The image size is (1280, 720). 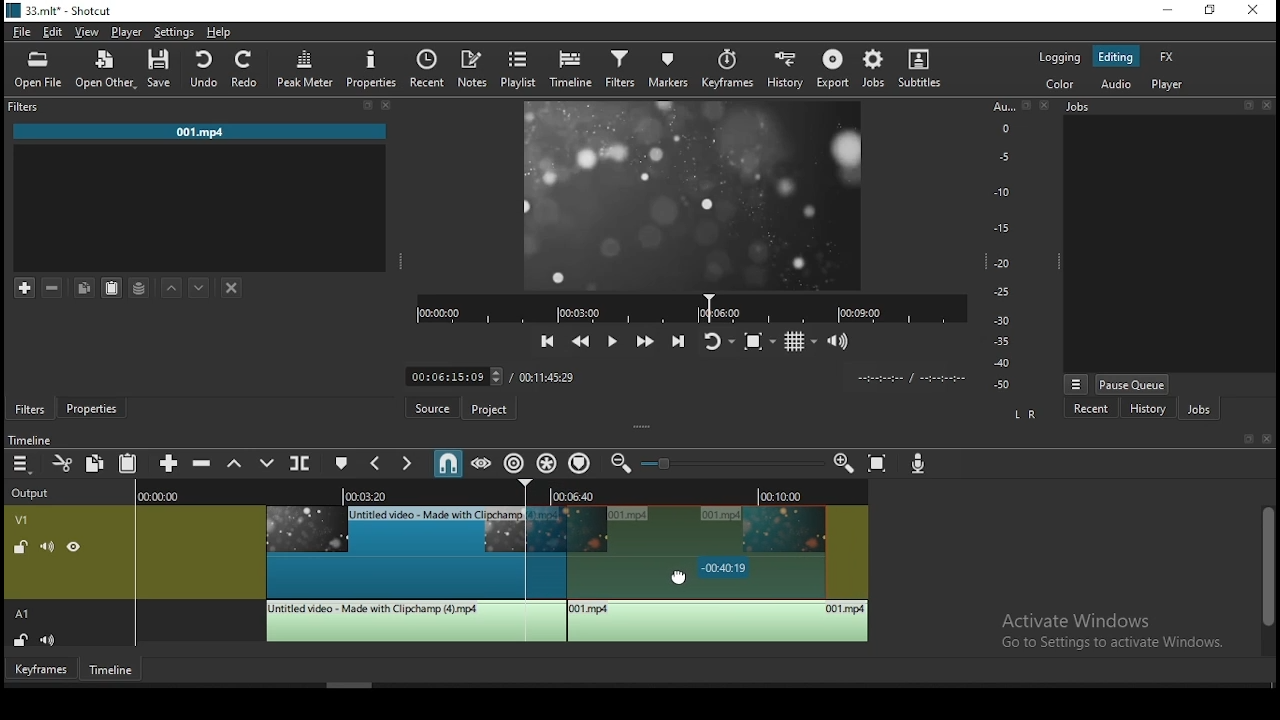 What do you see at coordinates (43, 547) in the screenshot?
I see `(un)mute` at bounding box center [43, 547].